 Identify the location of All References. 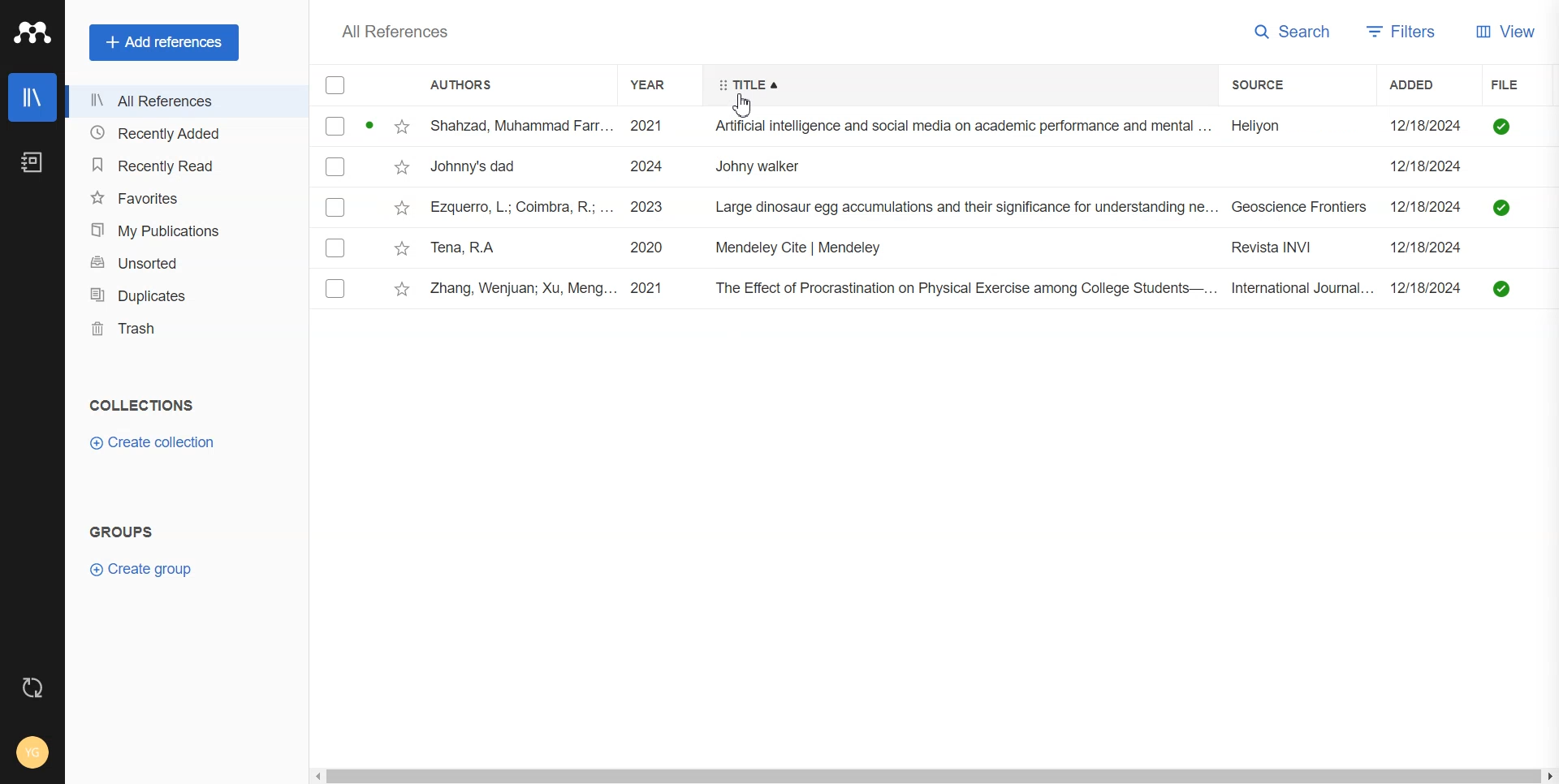
(184, 101).